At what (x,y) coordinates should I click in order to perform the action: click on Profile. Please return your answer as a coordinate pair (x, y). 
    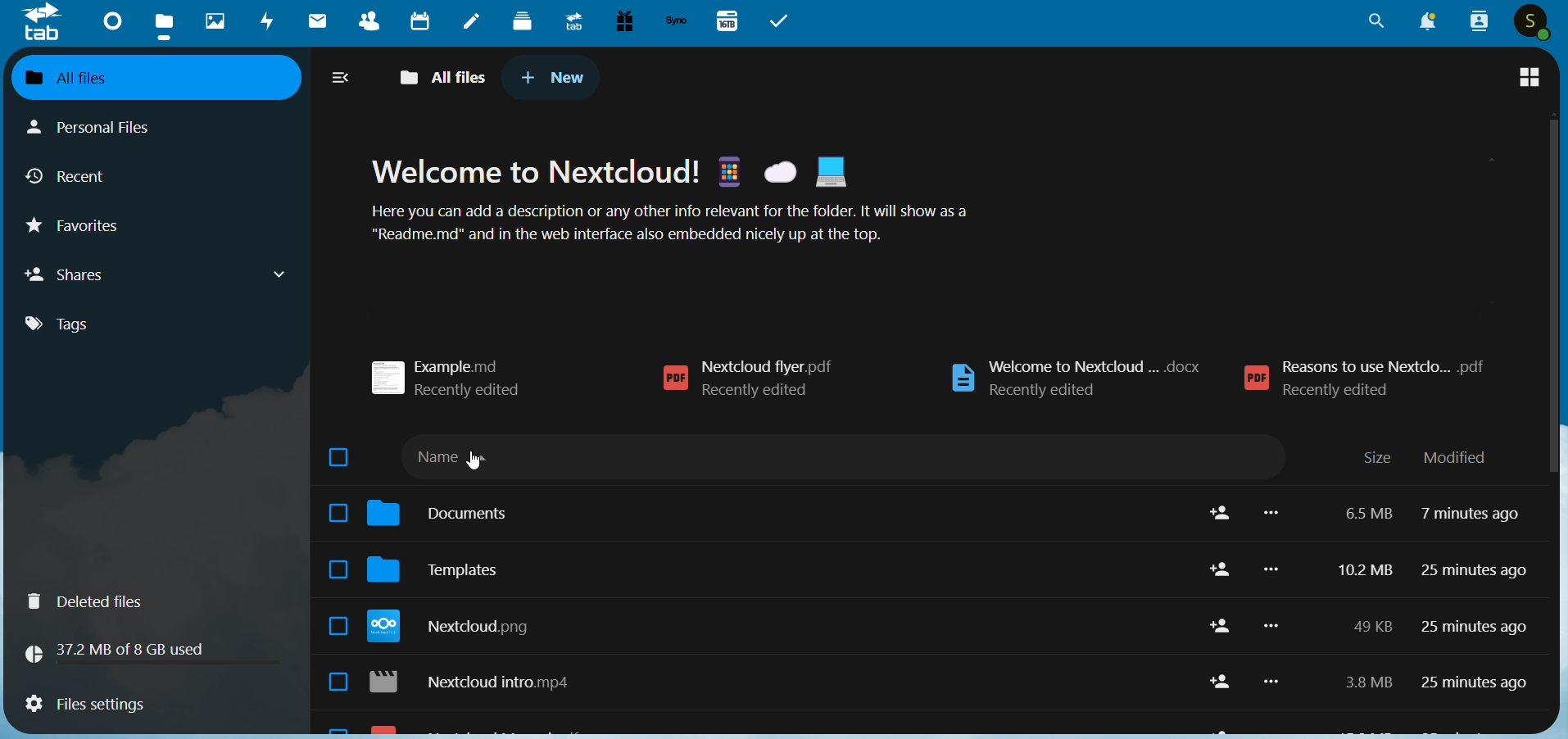
    Looking at the image, I should click on (1537, 22).